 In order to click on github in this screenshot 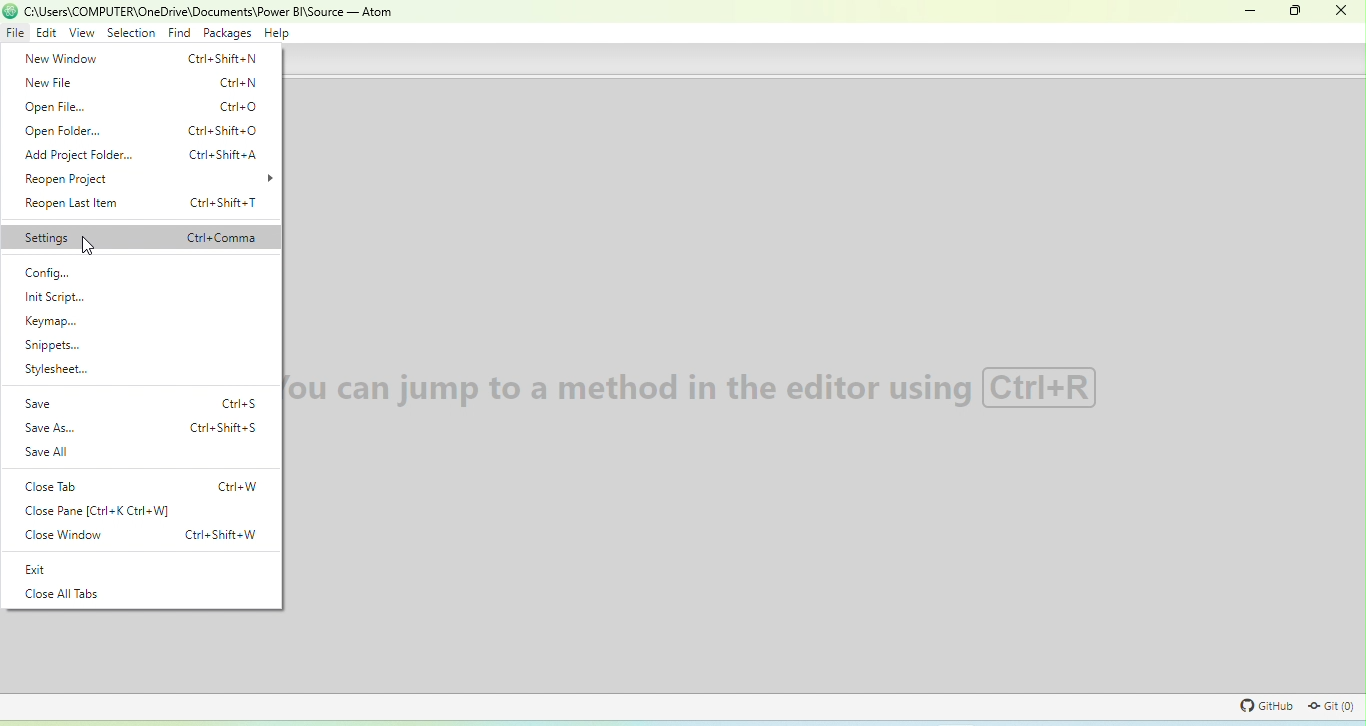, I will do `click(1261, 706)`.